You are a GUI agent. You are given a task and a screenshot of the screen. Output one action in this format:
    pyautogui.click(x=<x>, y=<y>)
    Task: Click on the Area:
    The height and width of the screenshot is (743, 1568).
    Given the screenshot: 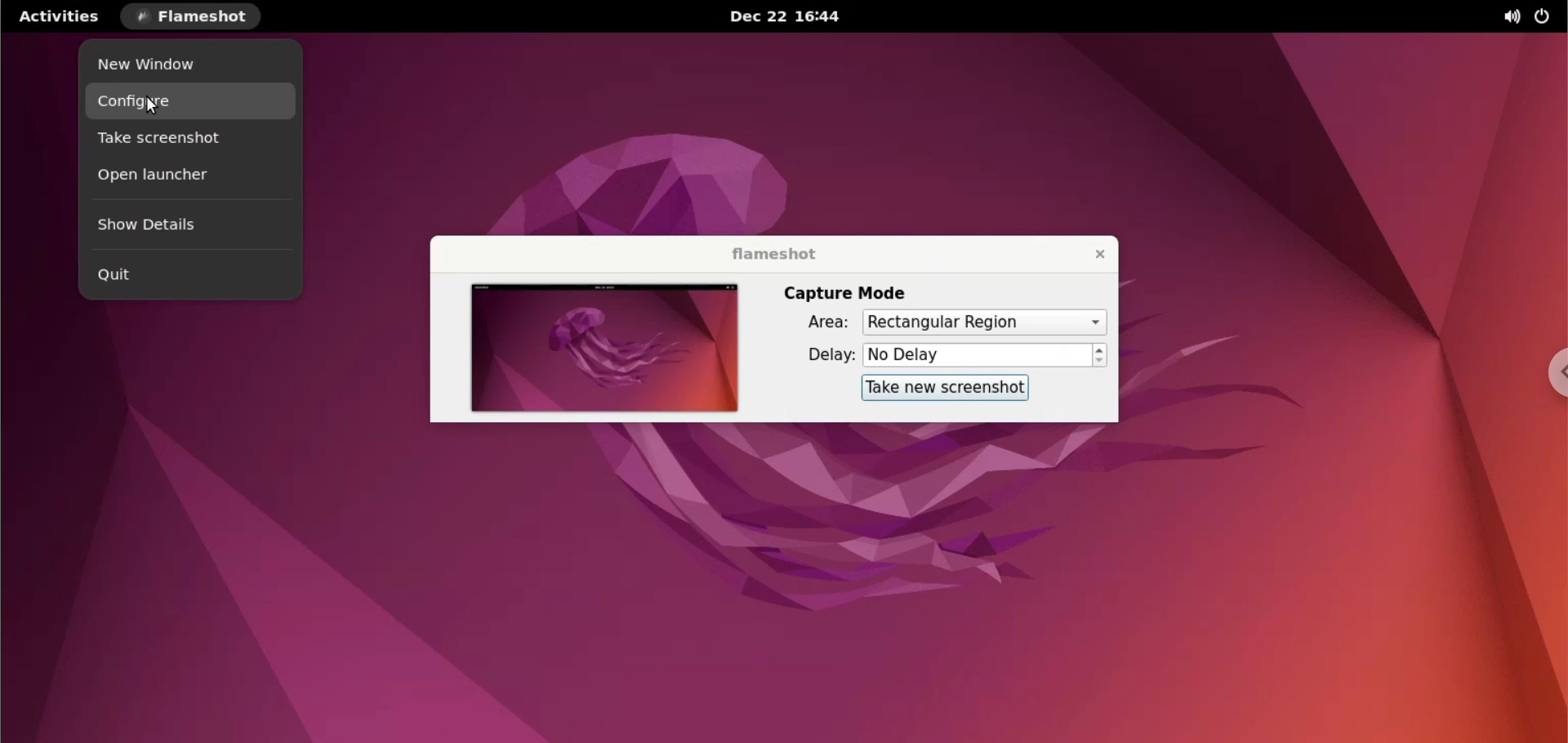 What is the action you would take?
    pyautogui.click(x=817, y=323)
    